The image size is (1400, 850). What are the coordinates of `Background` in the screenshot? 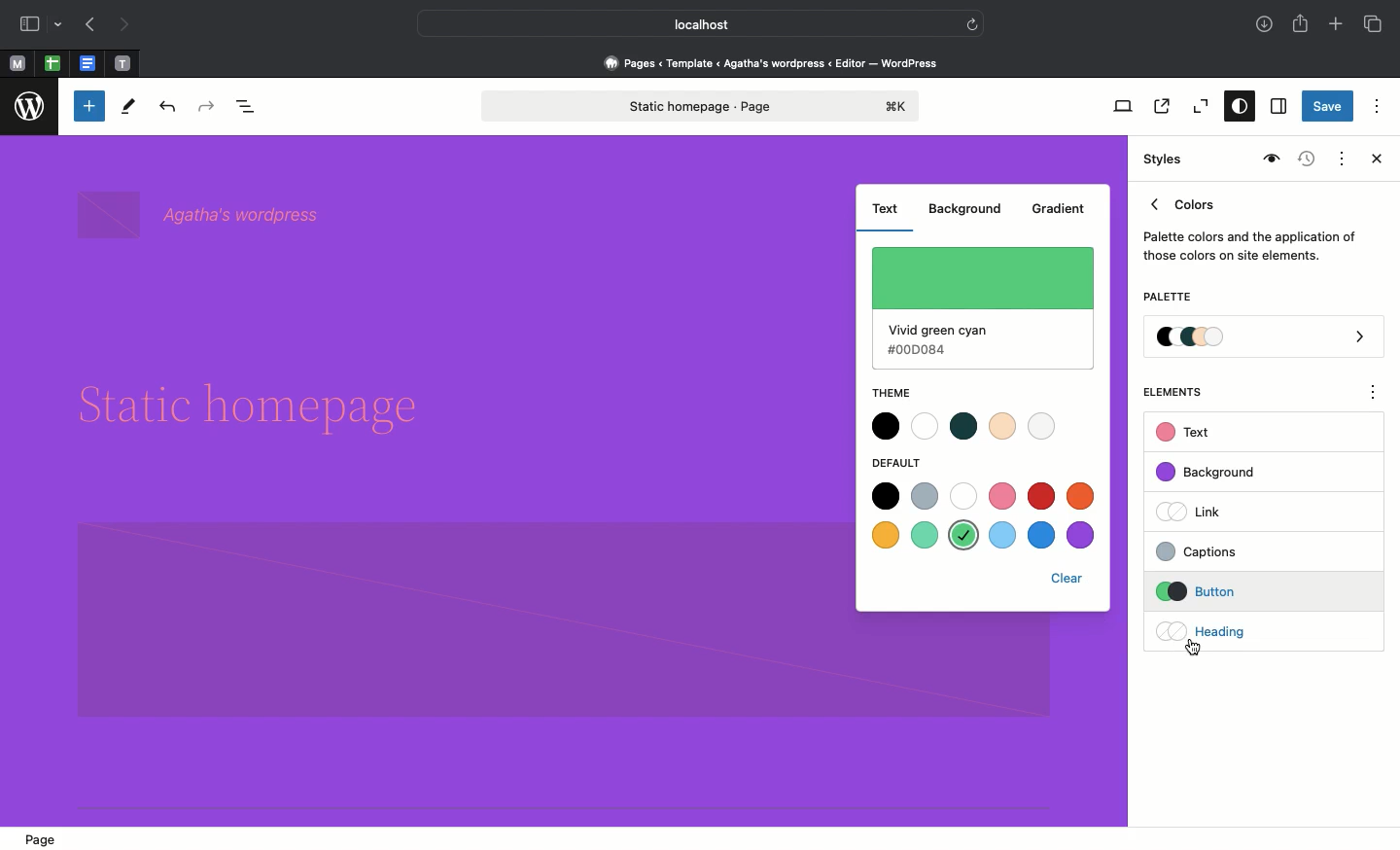 It's located at (967, 211).